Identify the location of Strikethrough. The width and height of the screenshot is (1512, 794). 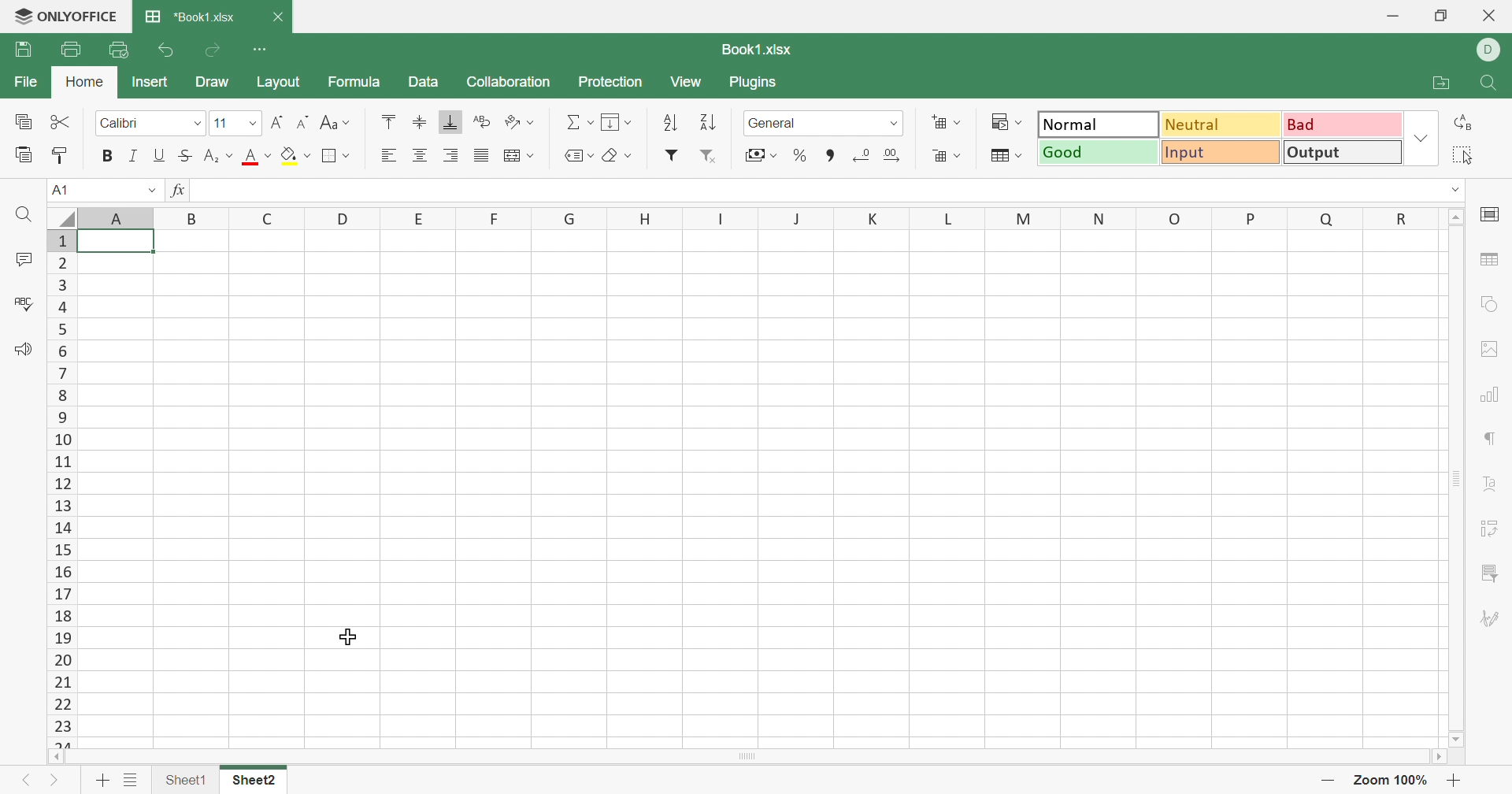
(184, 154).